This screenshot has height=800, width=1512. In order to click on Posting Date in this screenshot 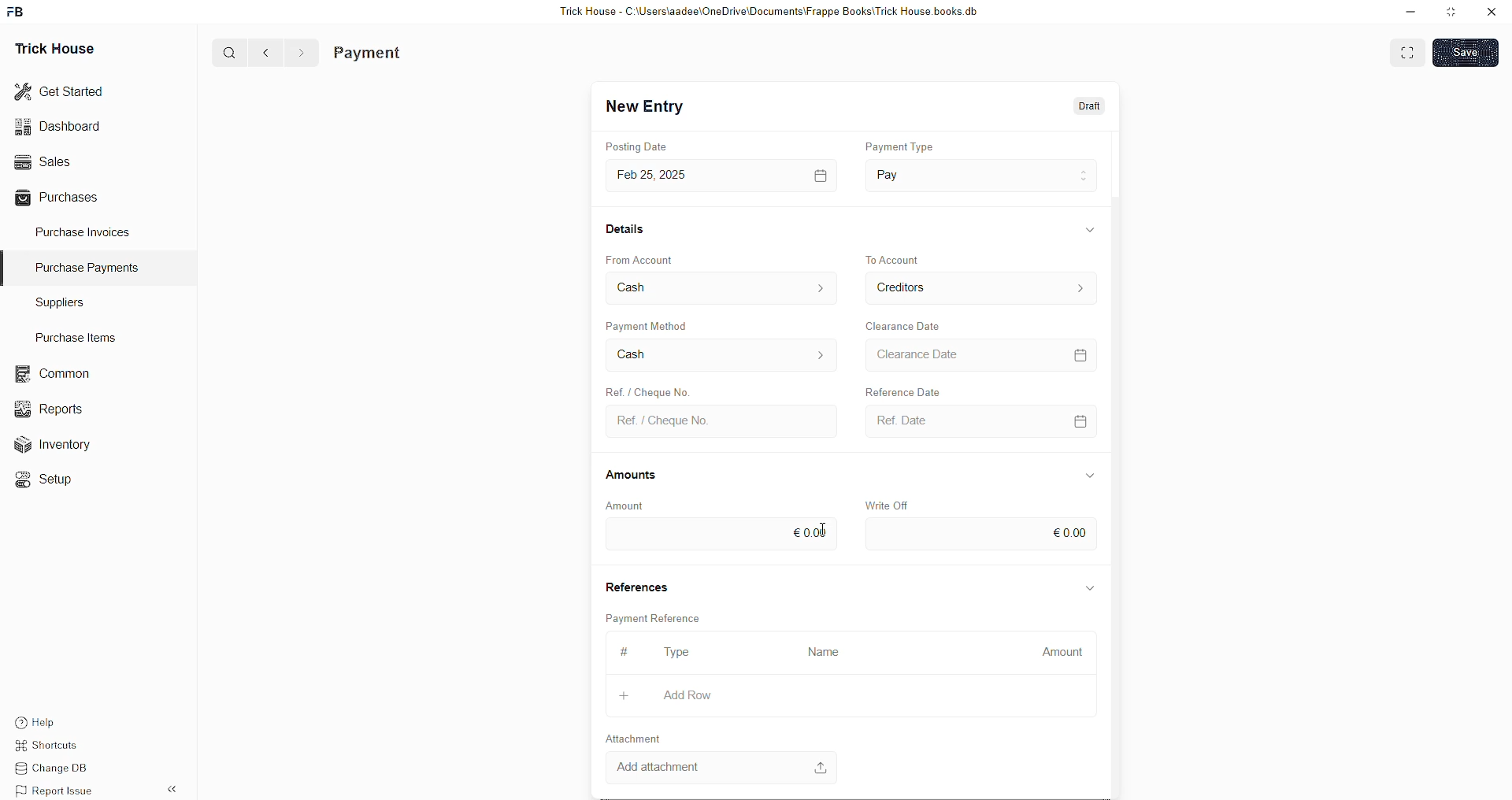, I will do `click(630, 146)`.